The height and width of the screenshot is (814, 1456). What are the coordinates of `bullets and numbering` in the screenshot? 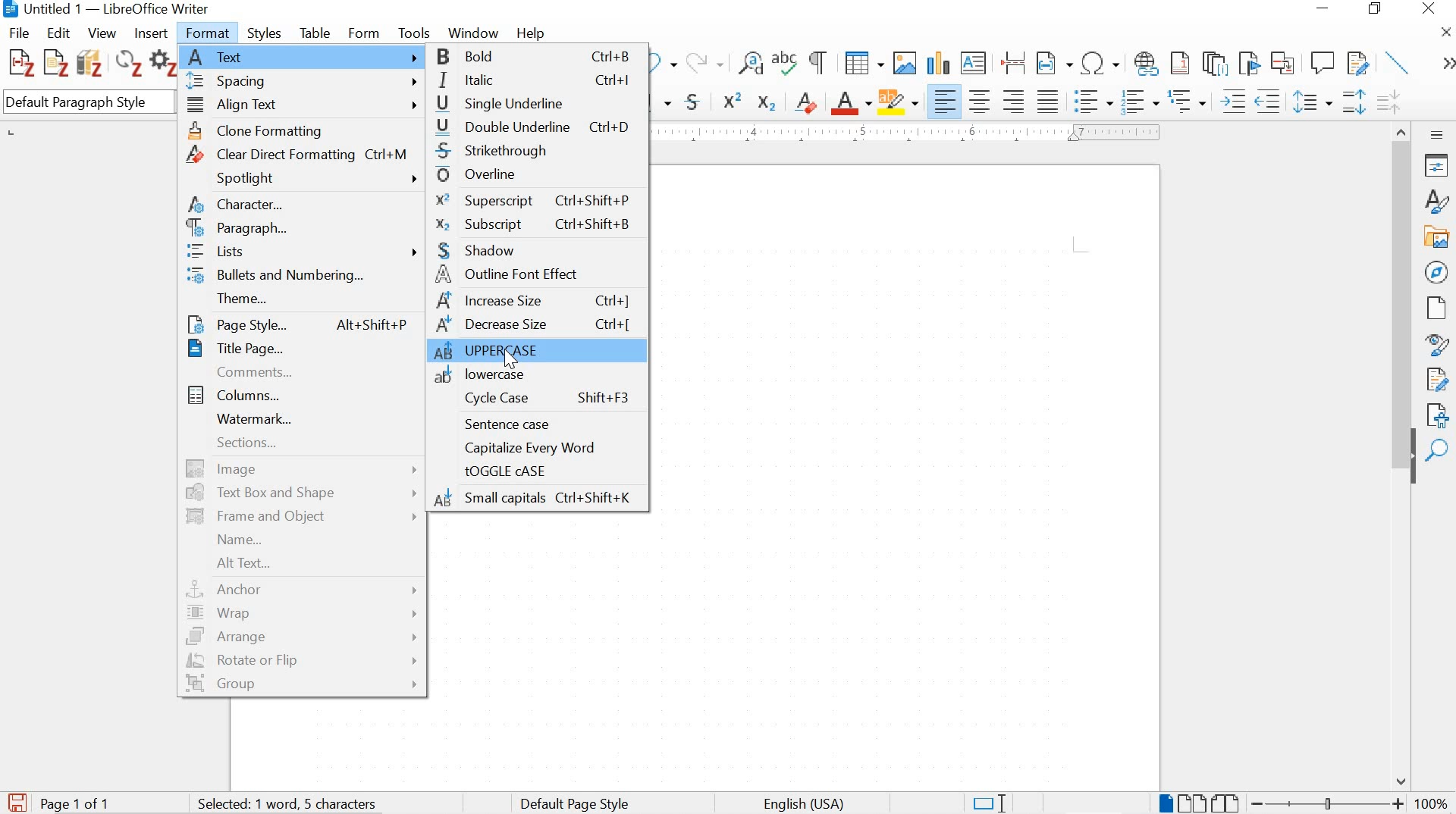 It's located at (303, 277).